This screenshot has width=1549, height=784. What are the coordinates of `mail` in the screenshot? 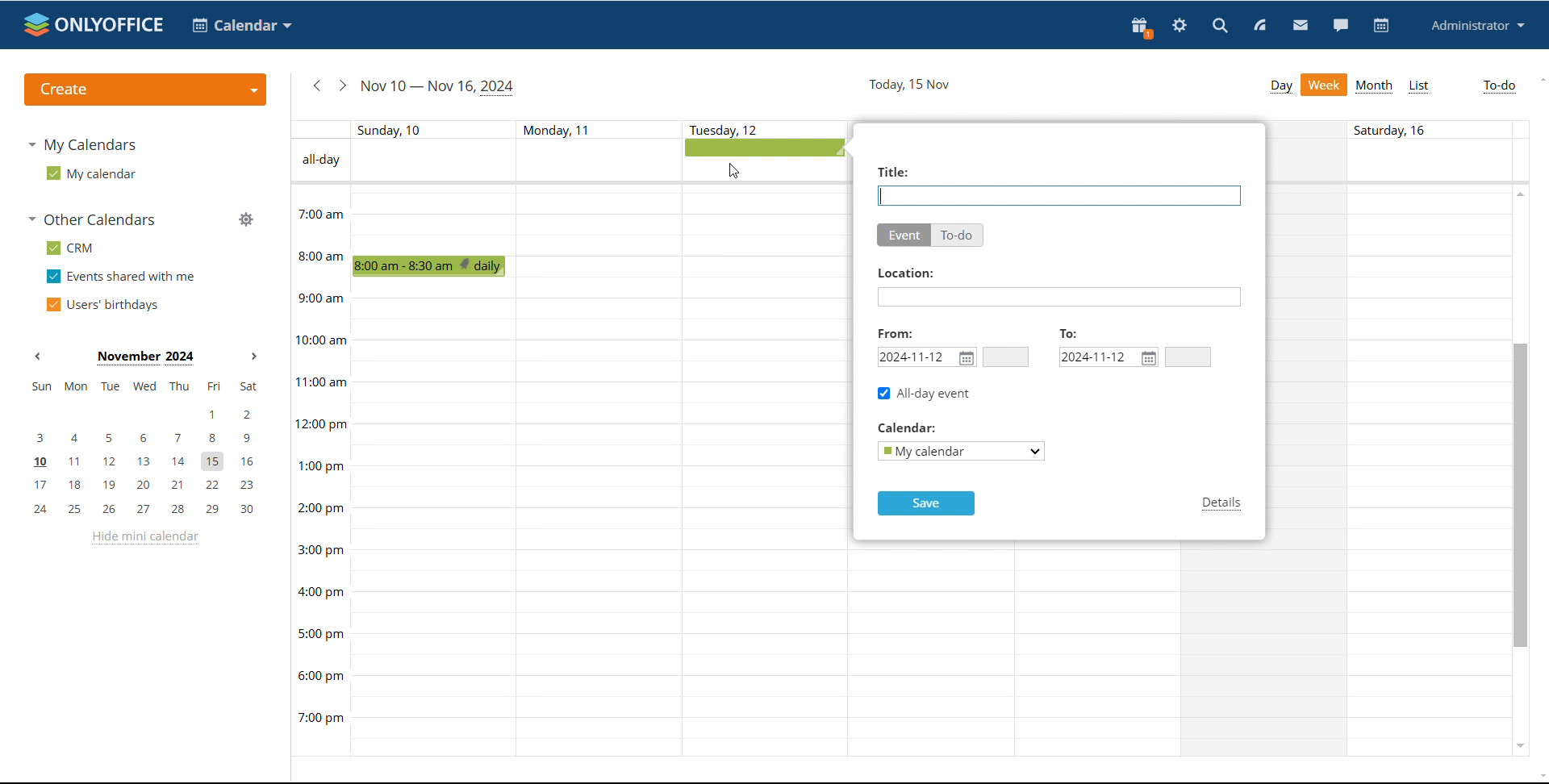 It's located at (1301, 25).